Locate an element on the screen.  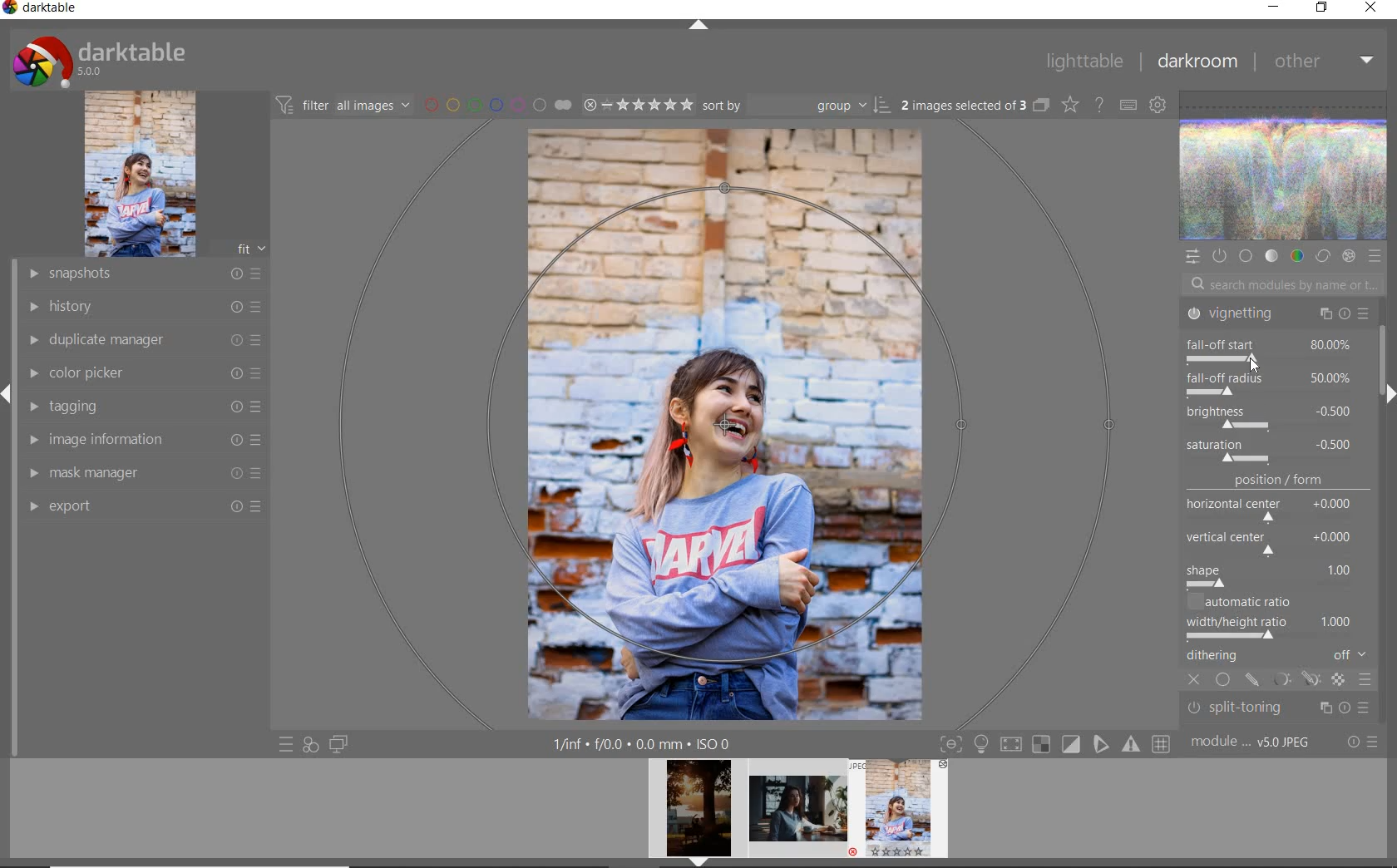
quick access panel is located at coordinates (1192, 257).